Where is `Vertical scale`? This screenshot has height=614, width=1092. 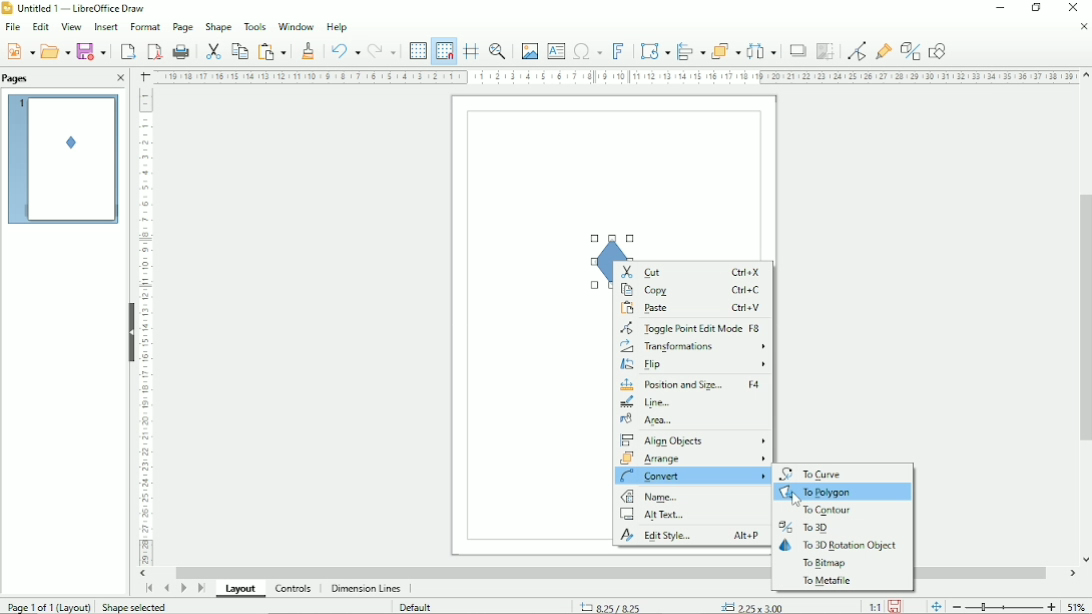 Vertical scale is located at coordinates (149, 330).